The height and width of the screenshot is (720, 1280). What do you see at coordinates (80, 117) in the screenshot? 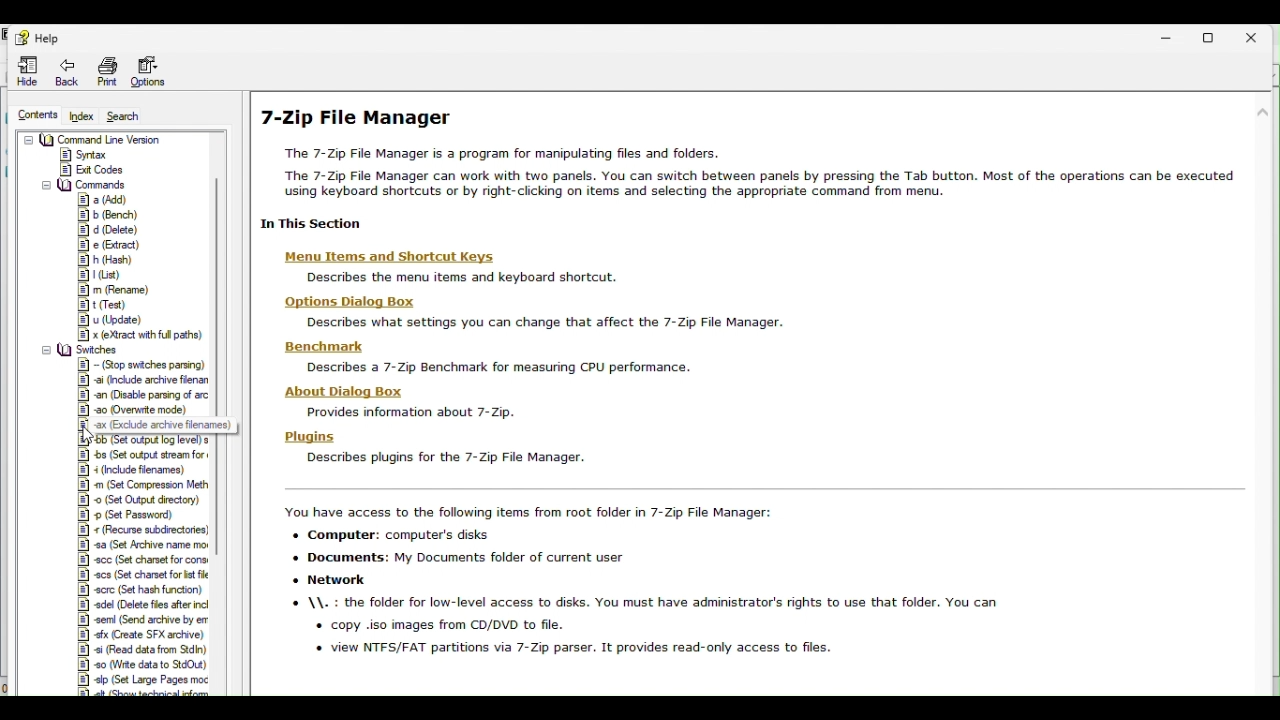
I see `Index` at bounding box center [80, 117].